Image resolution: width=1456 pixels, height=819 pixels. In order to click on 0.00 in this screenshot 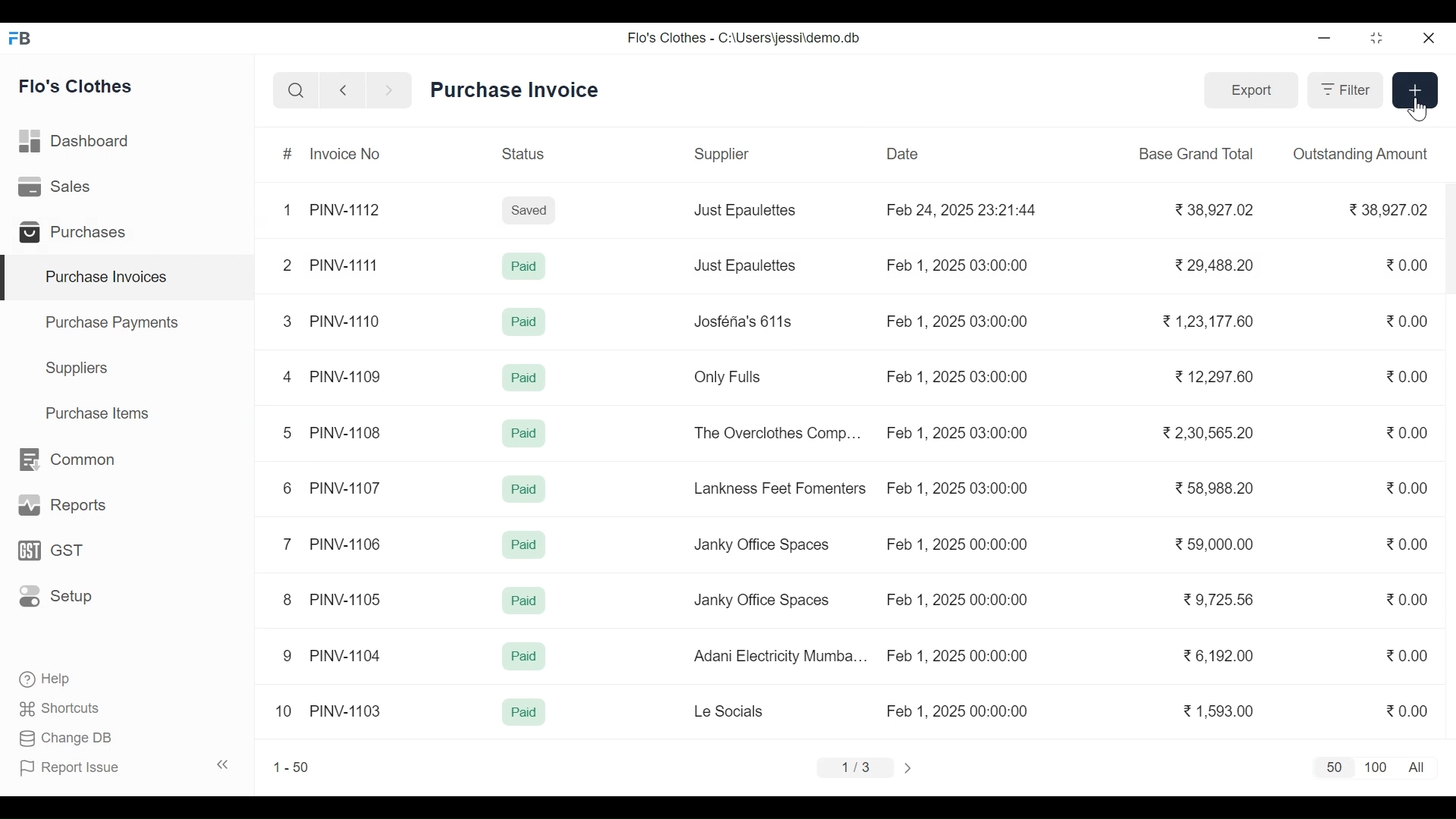, I will do `click(1408, 321)`.